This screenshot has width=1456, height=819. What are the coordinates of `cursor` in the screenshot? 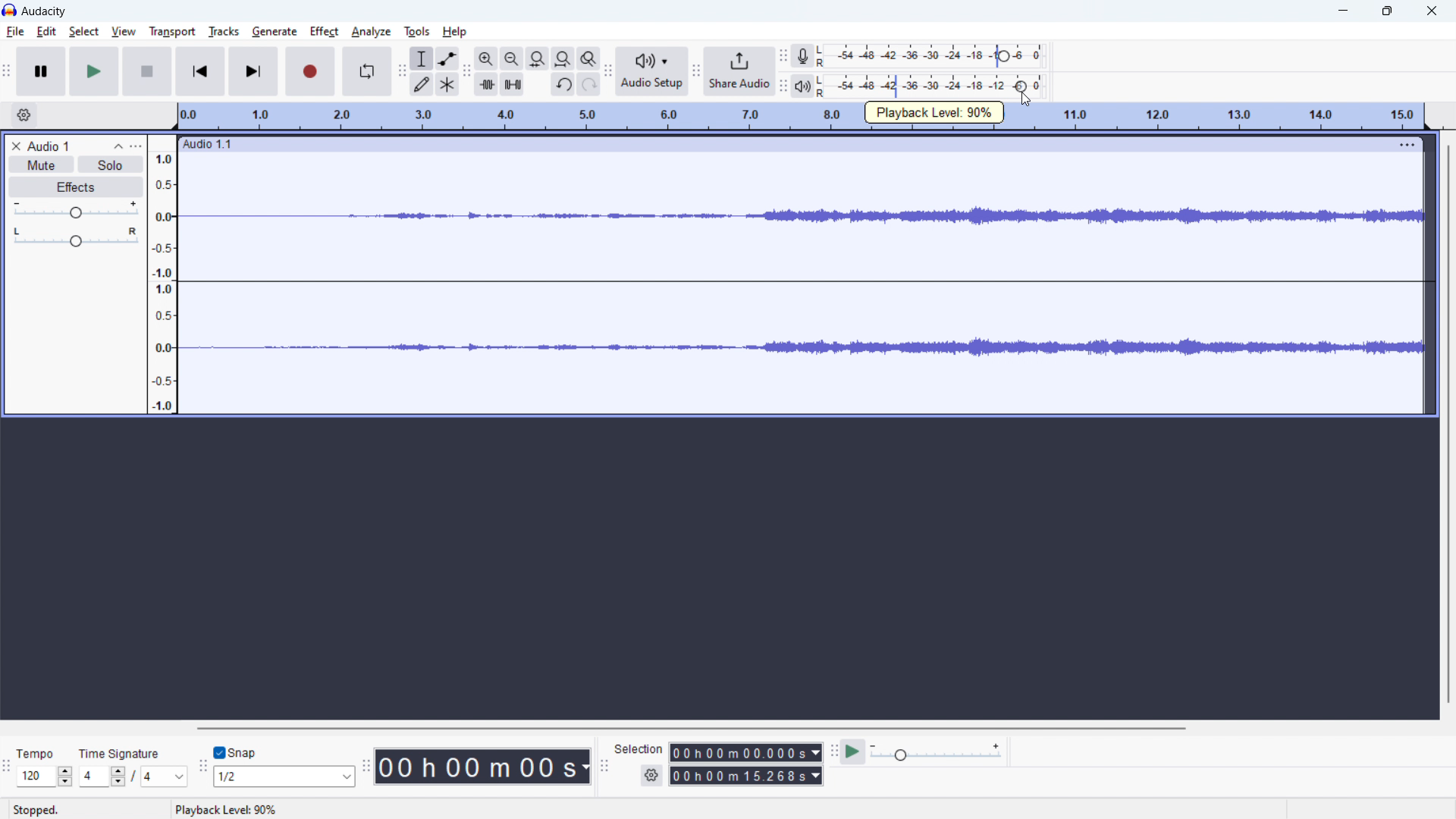 It's located at (1028, 99).